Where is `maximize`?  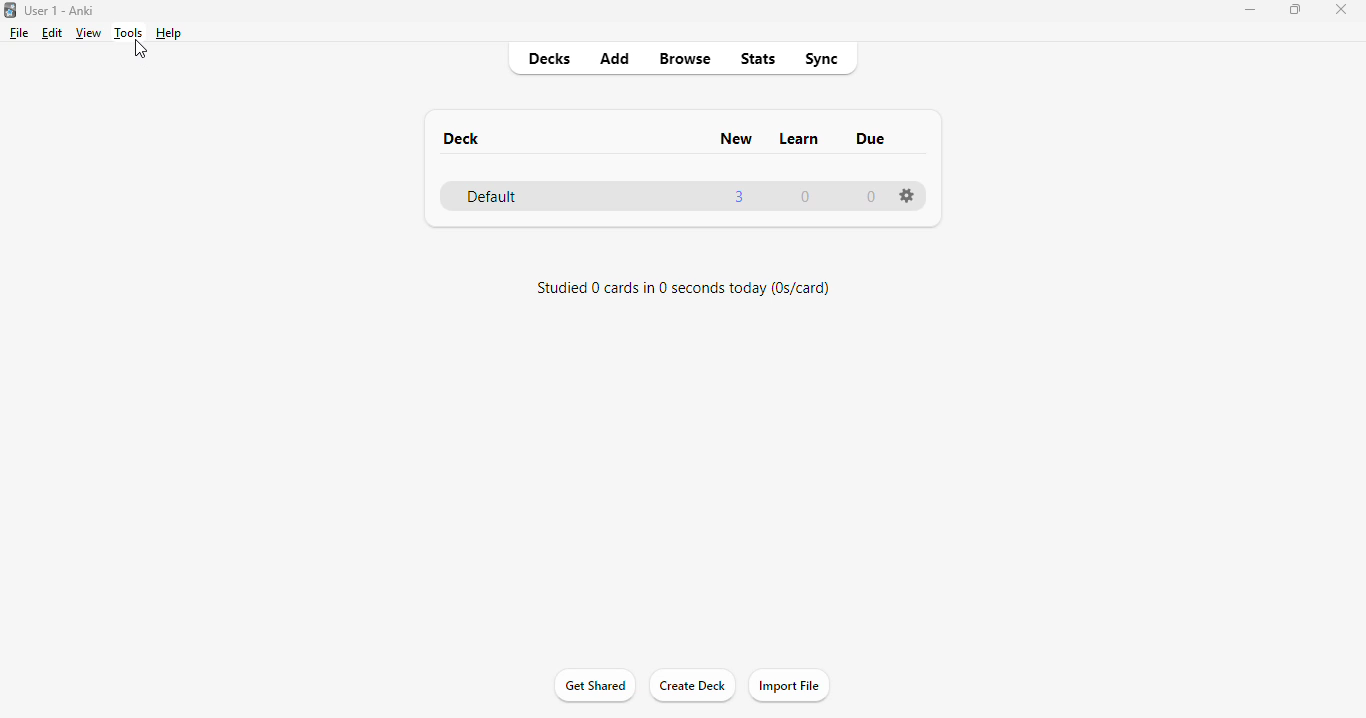
maximize is located at coordinates (1295, 10).